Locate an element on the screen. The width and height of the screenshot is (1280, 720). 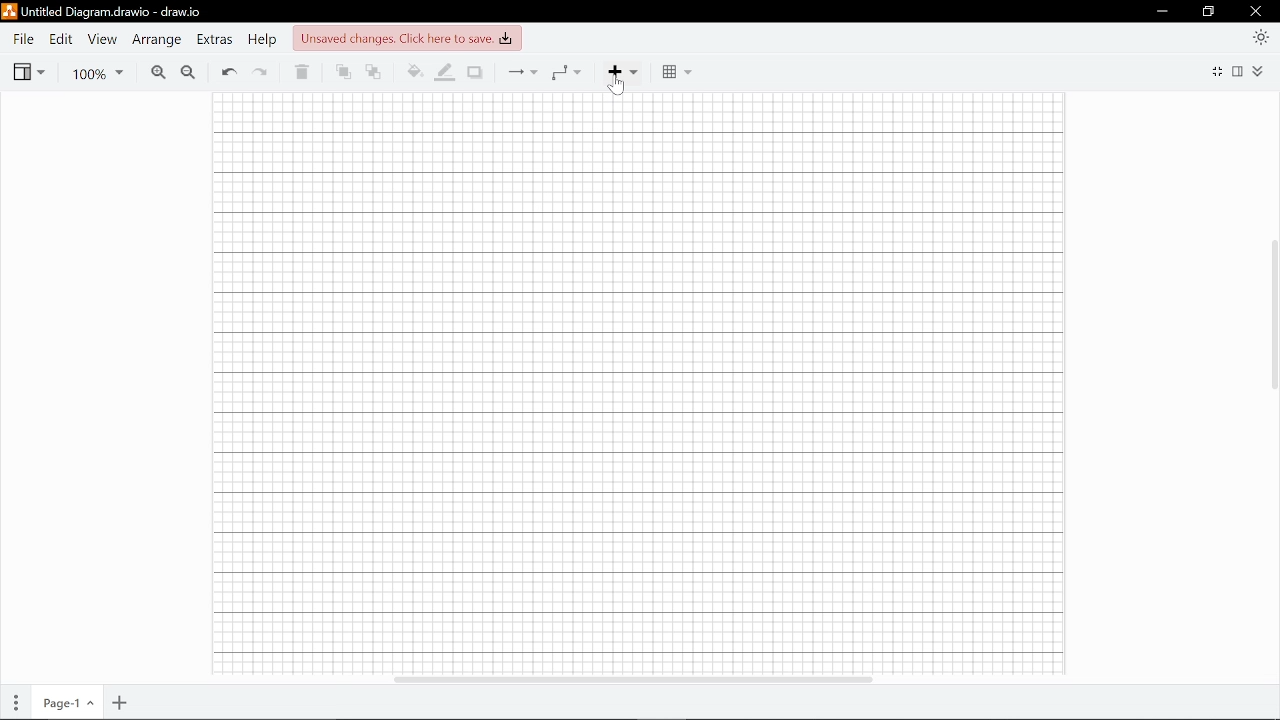
To back is located at coordinates (376, 71).